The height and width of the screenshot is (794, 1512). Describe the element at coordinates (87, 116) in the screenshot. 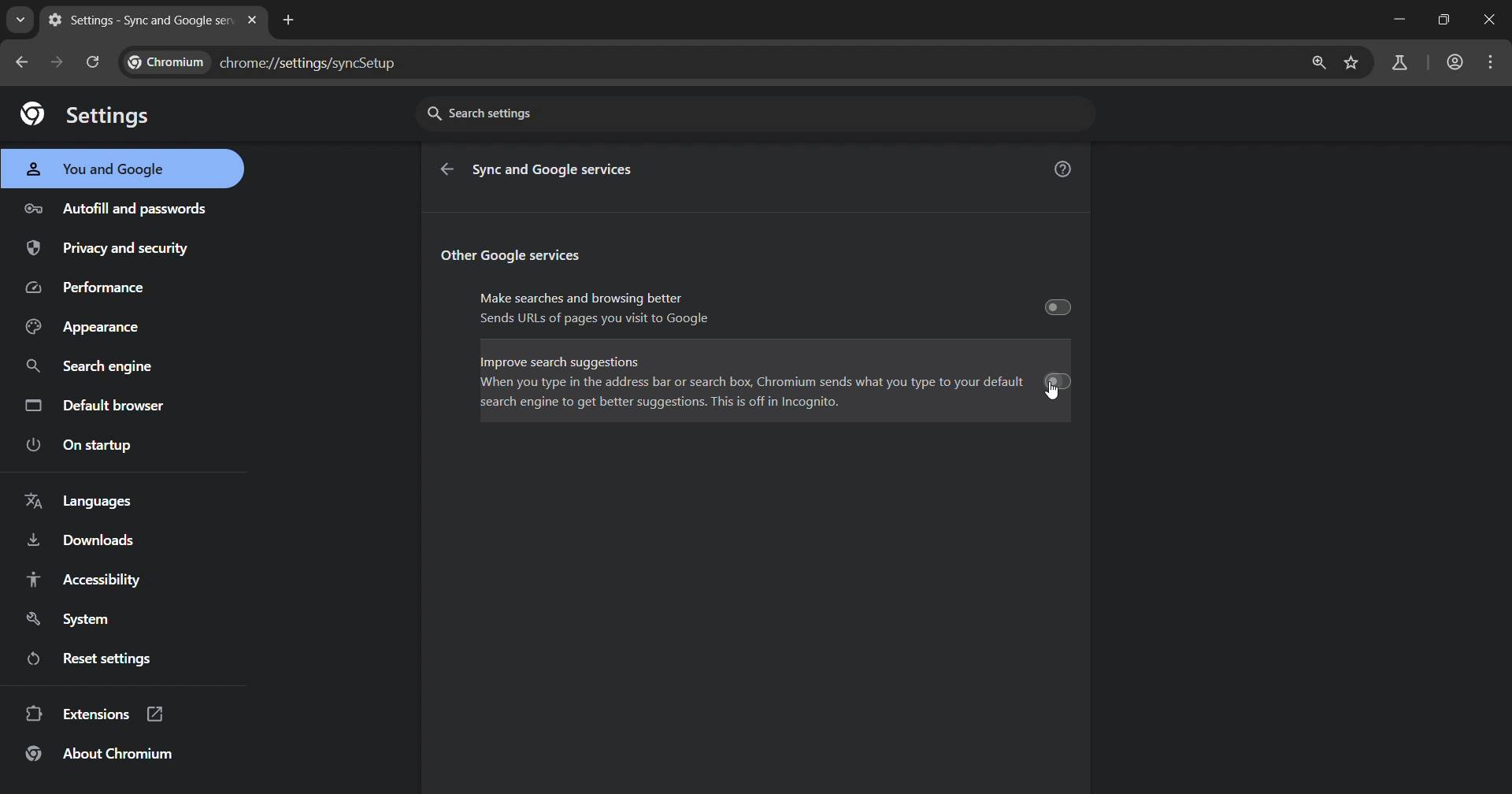

I see `settings` at that location.